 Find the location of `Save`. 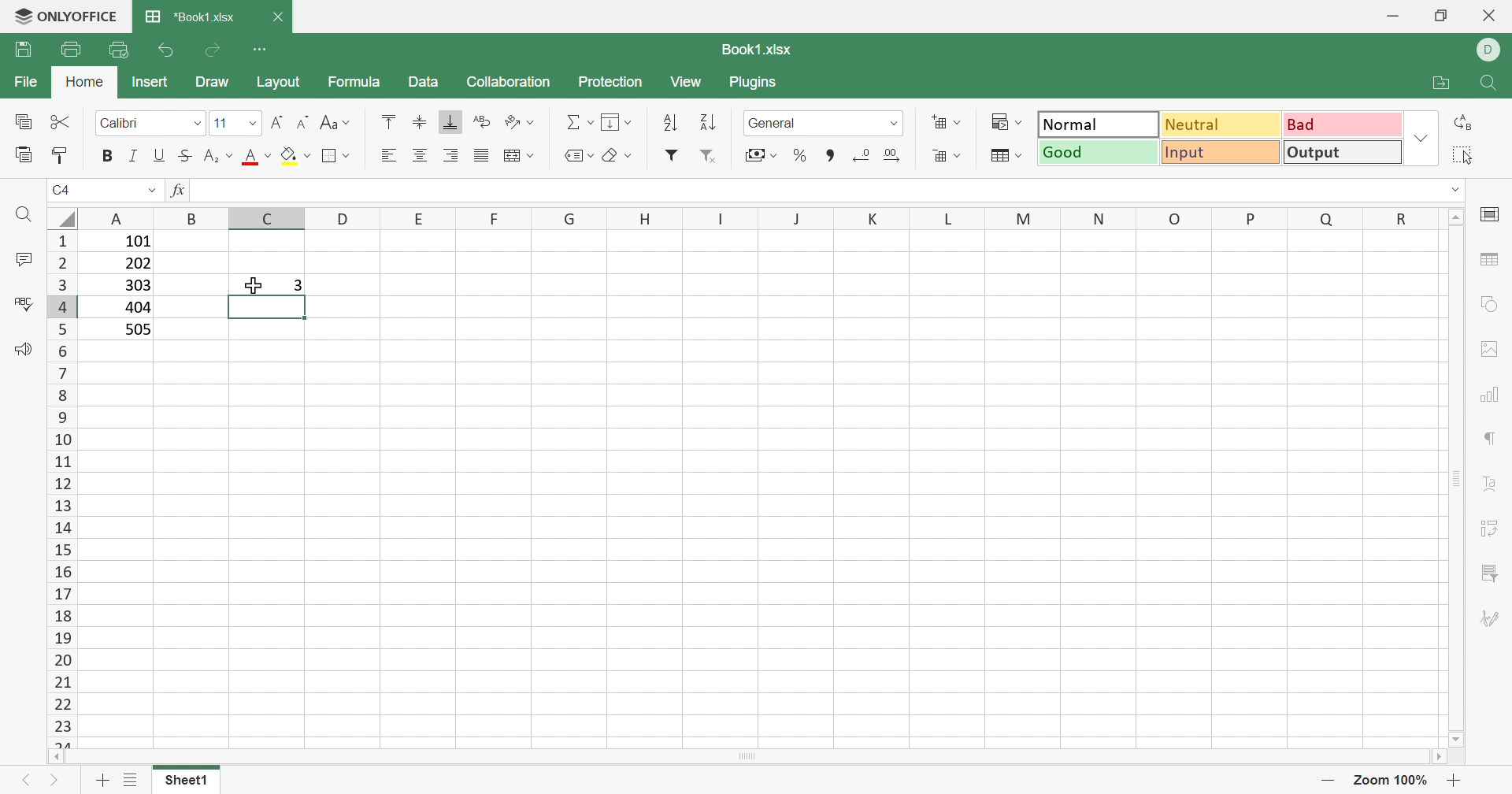

Save is located at coordinates (23, 51).